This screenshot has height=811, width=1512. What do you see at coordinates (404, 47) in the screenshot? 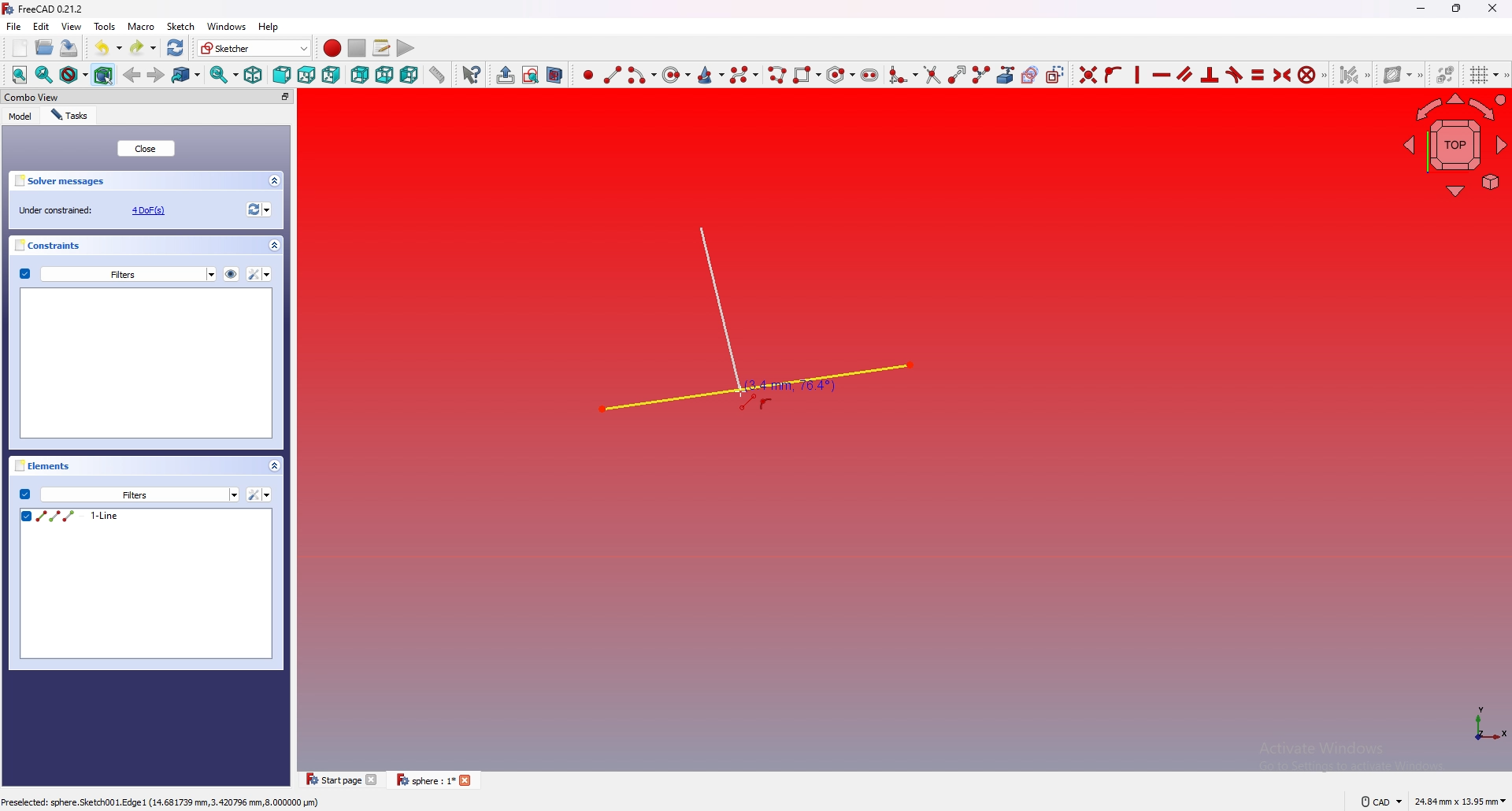
I see `Execute macro` at bounding box center [404, 47].